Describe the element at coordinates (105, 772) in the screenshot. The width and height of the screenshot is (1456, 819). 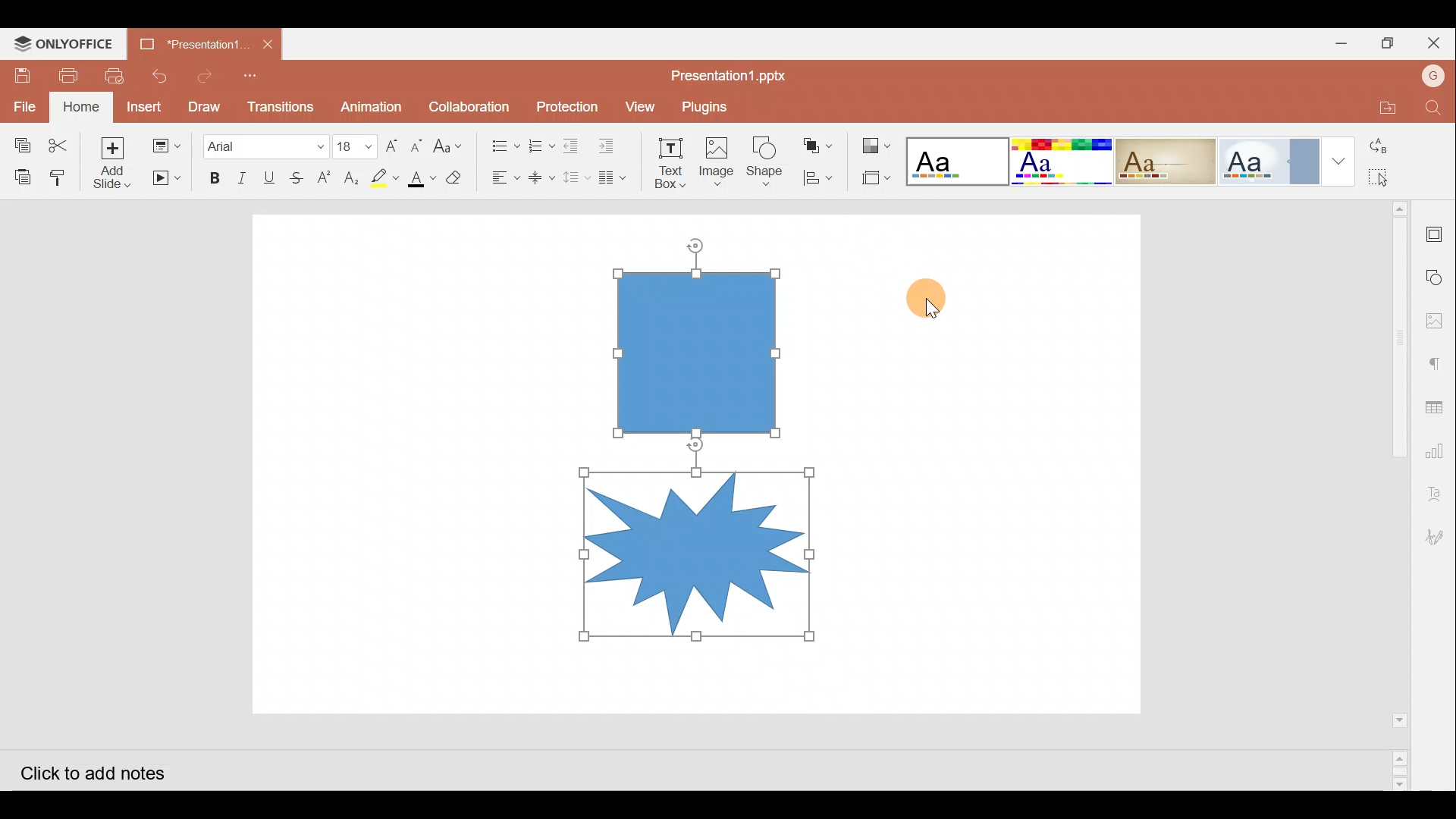
I see `Click to add notes` at that location.